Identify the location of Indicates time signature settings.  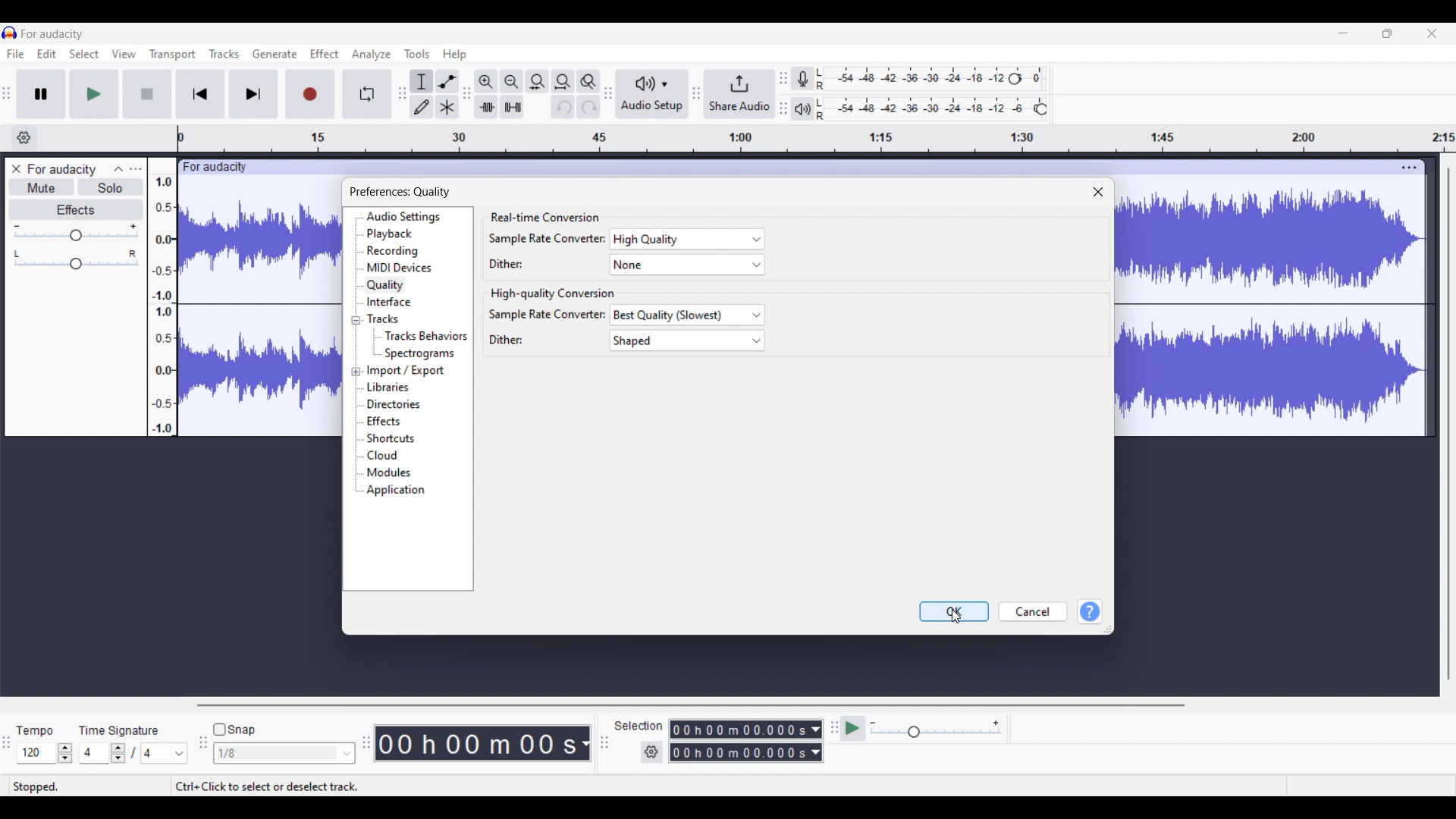
(119, 730).